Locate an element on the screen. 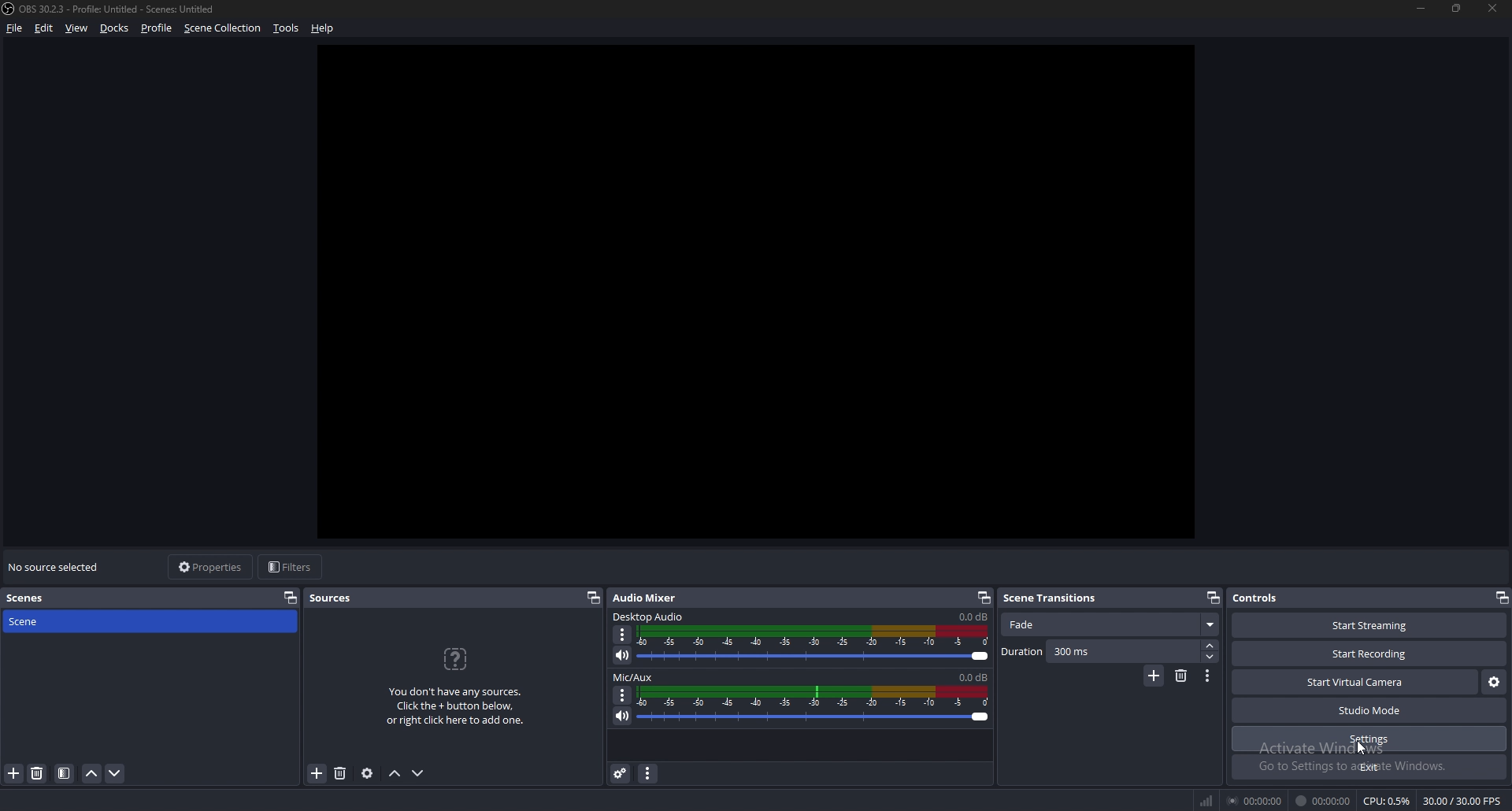 Image resolution: width=1512 pixels, height=811 pixels. pop out is located at coordinates (593, 597).